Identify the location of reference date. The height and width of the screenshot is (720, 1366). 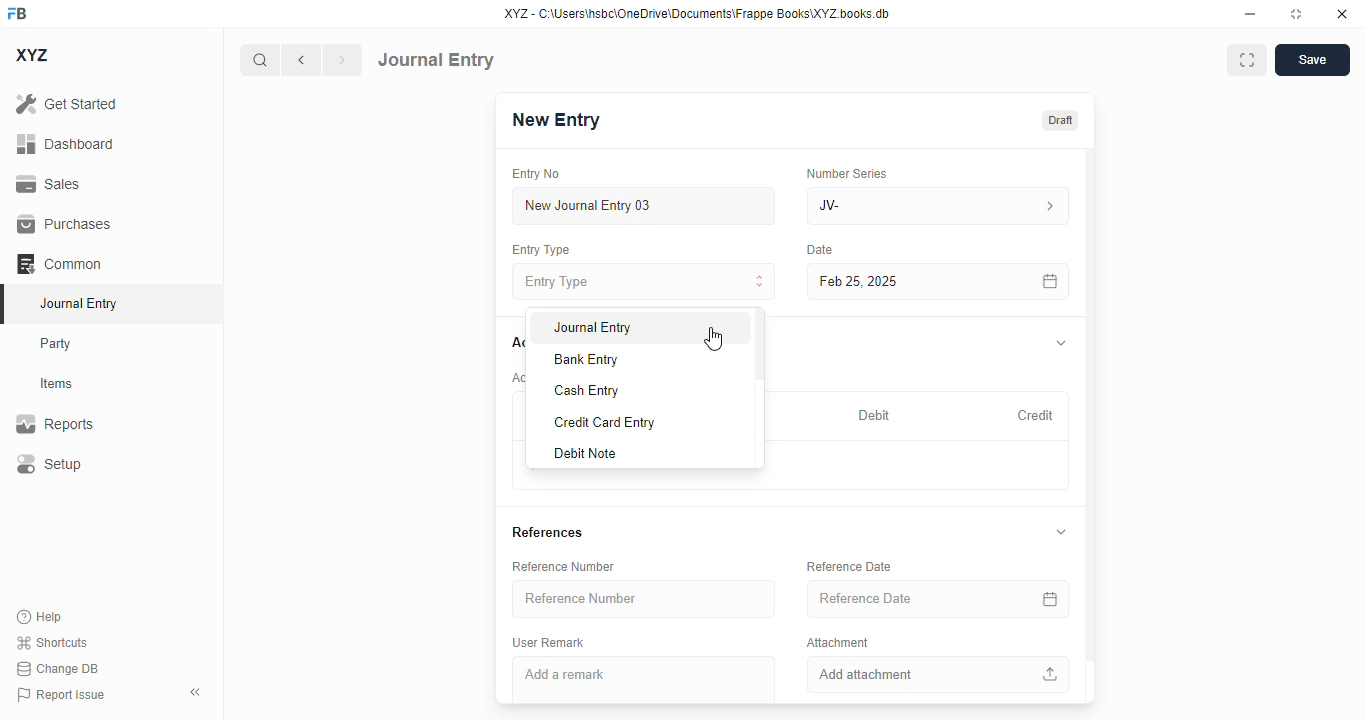
(900, 598).